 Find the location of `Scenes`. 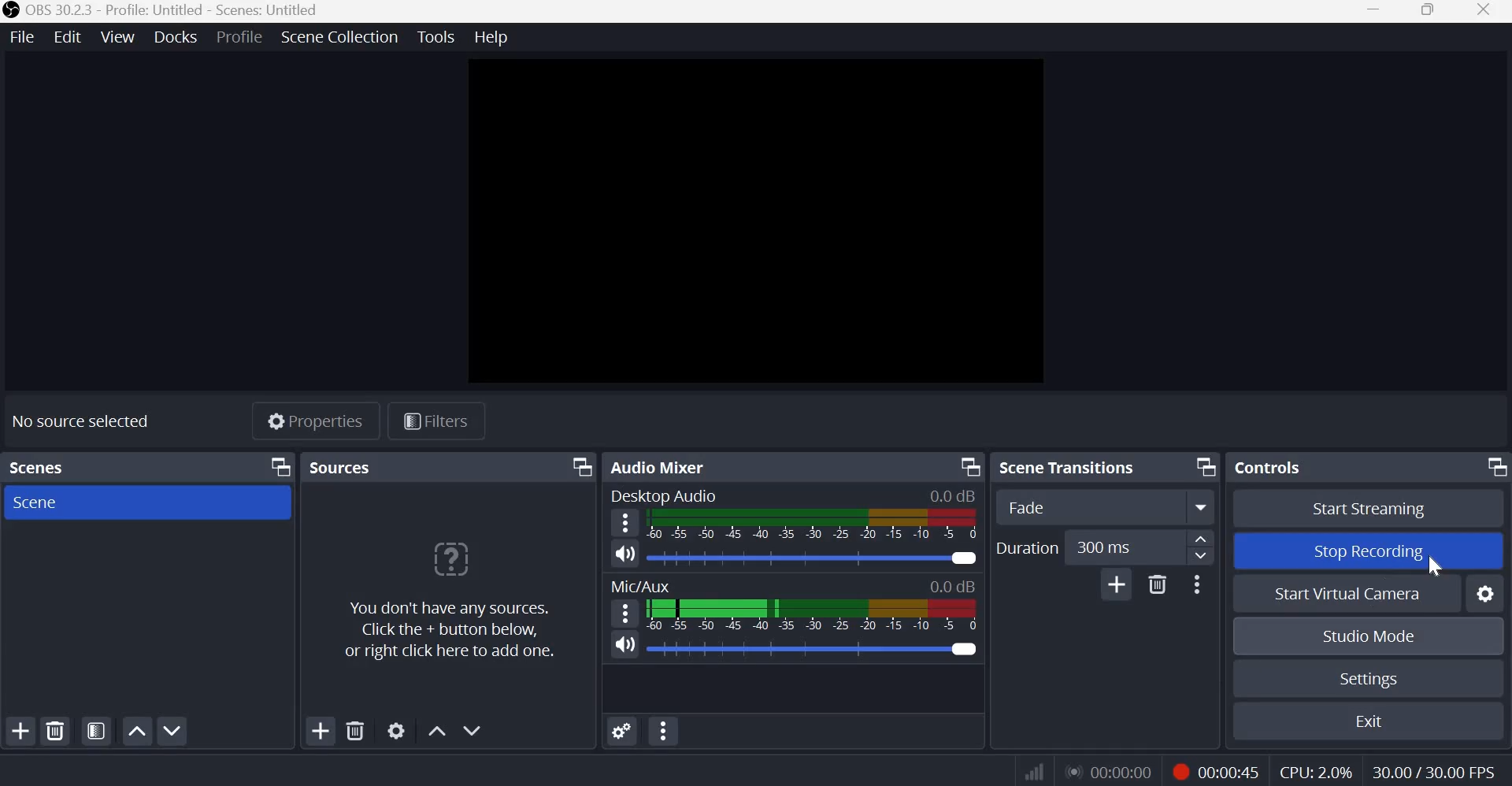

Scenes is located at coordinates (44, 466).